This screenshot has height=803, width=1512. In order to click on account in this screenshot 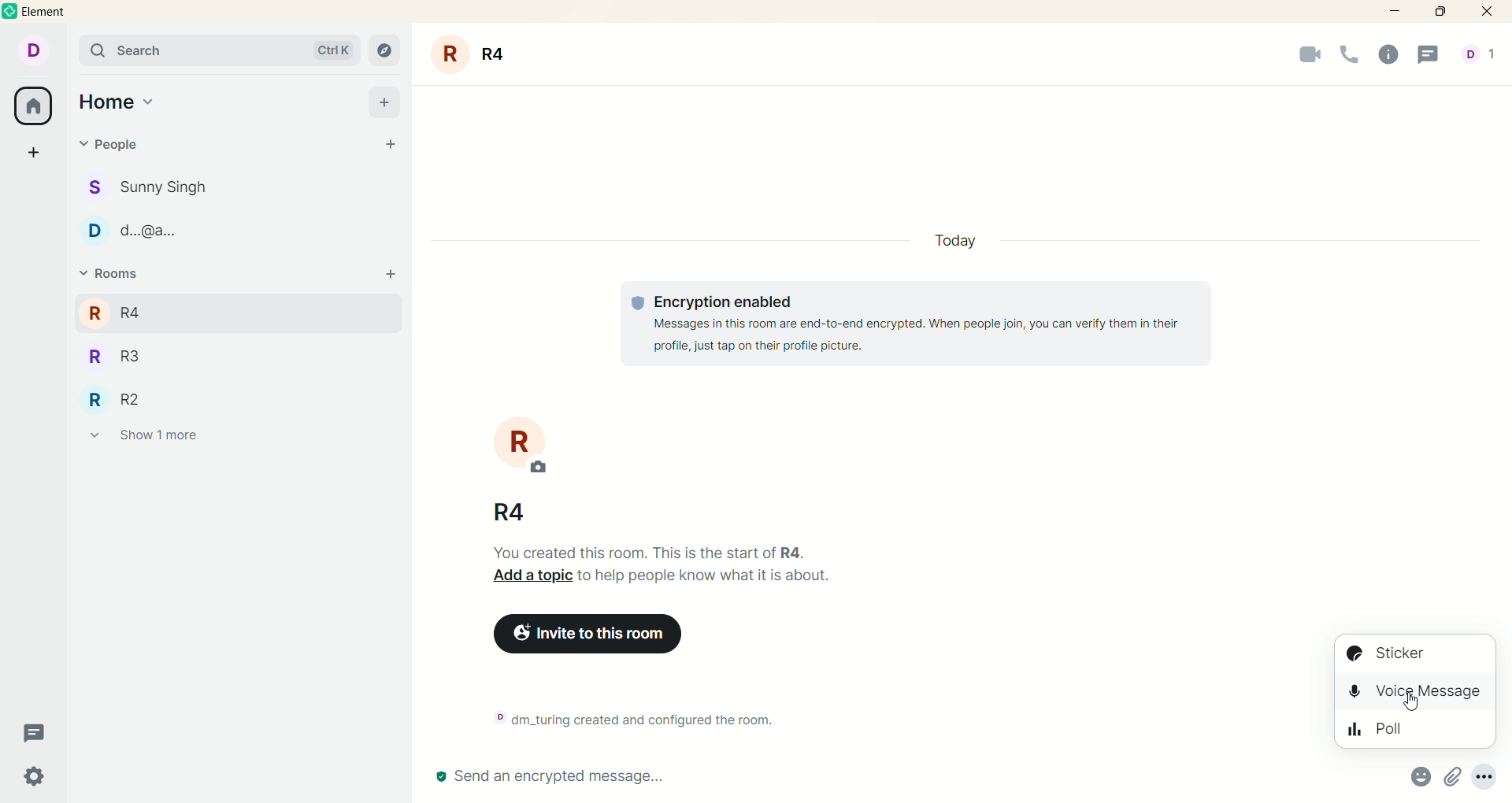, I will do `click(39, 52)`.